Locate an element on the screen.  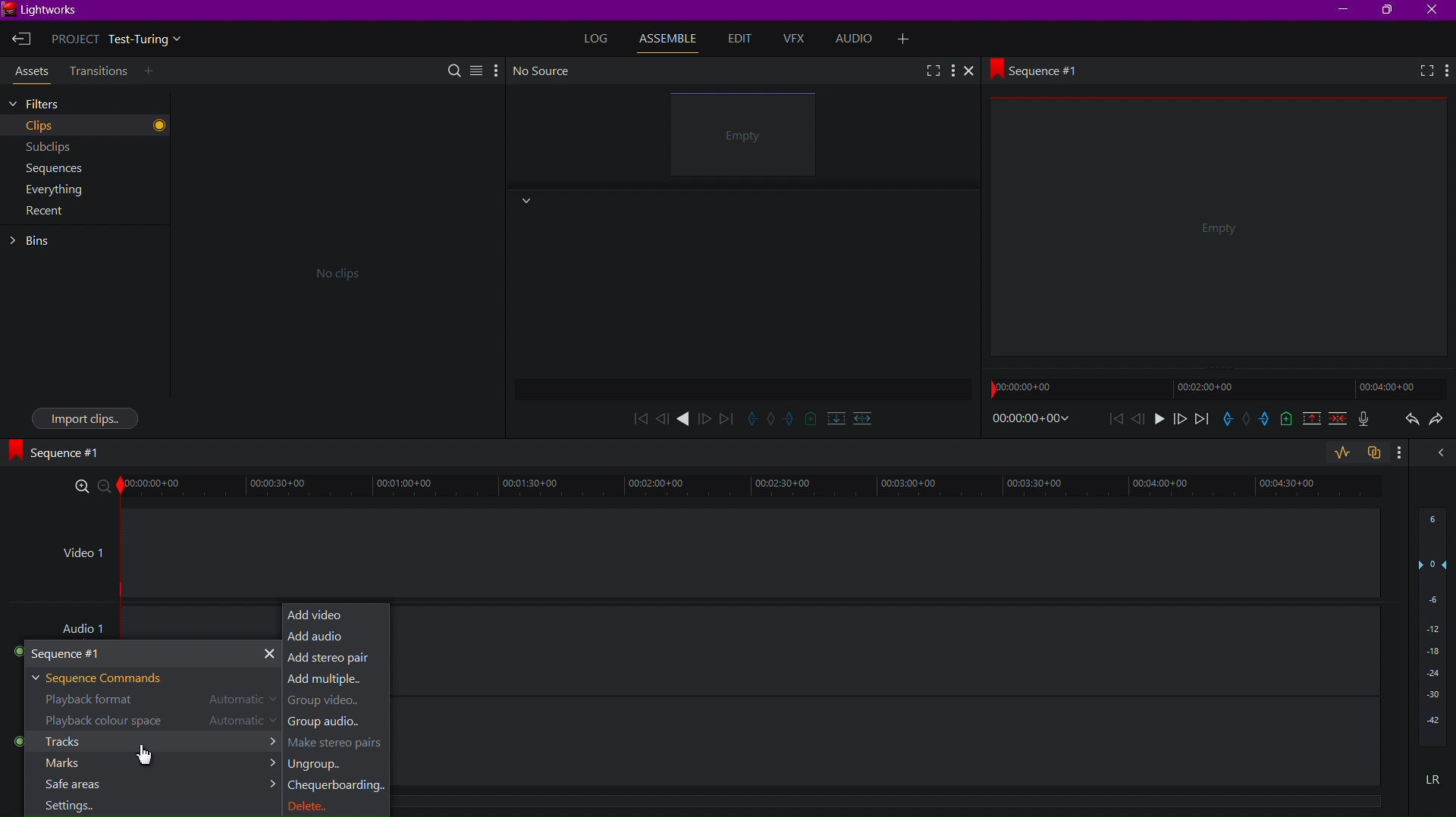
audio 1 is located at coordinates (88, 625).